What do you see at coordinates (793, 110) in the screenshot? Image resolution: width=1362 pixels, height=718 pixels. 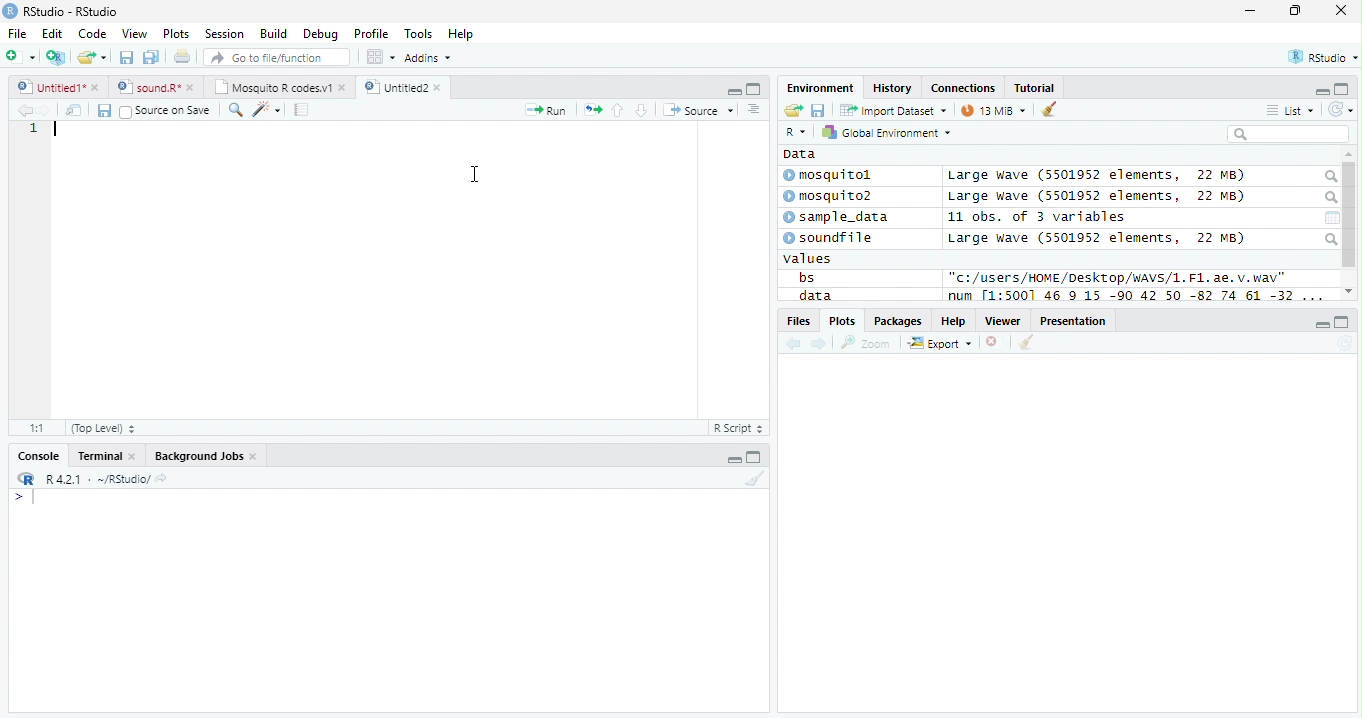 I see `Folder` at bounding box center [793, 110].